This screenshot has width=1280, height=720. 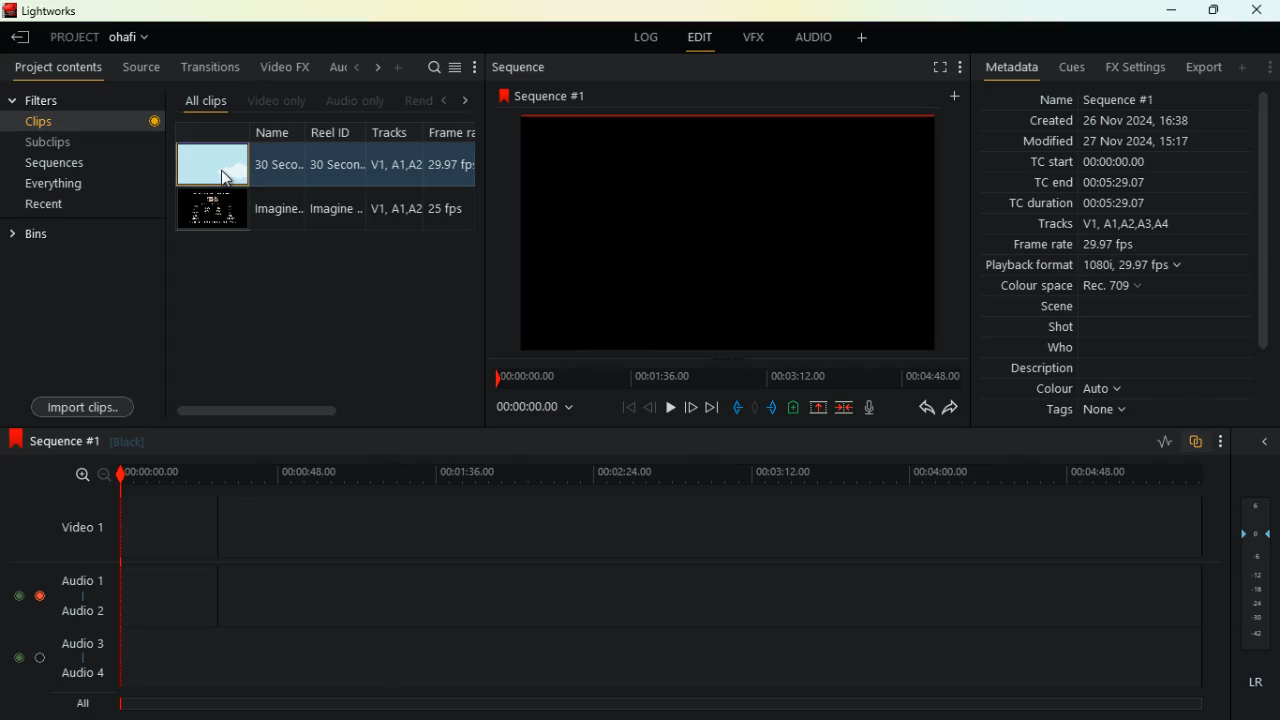 I want to click on playback format, so click(x=1096, y=267).